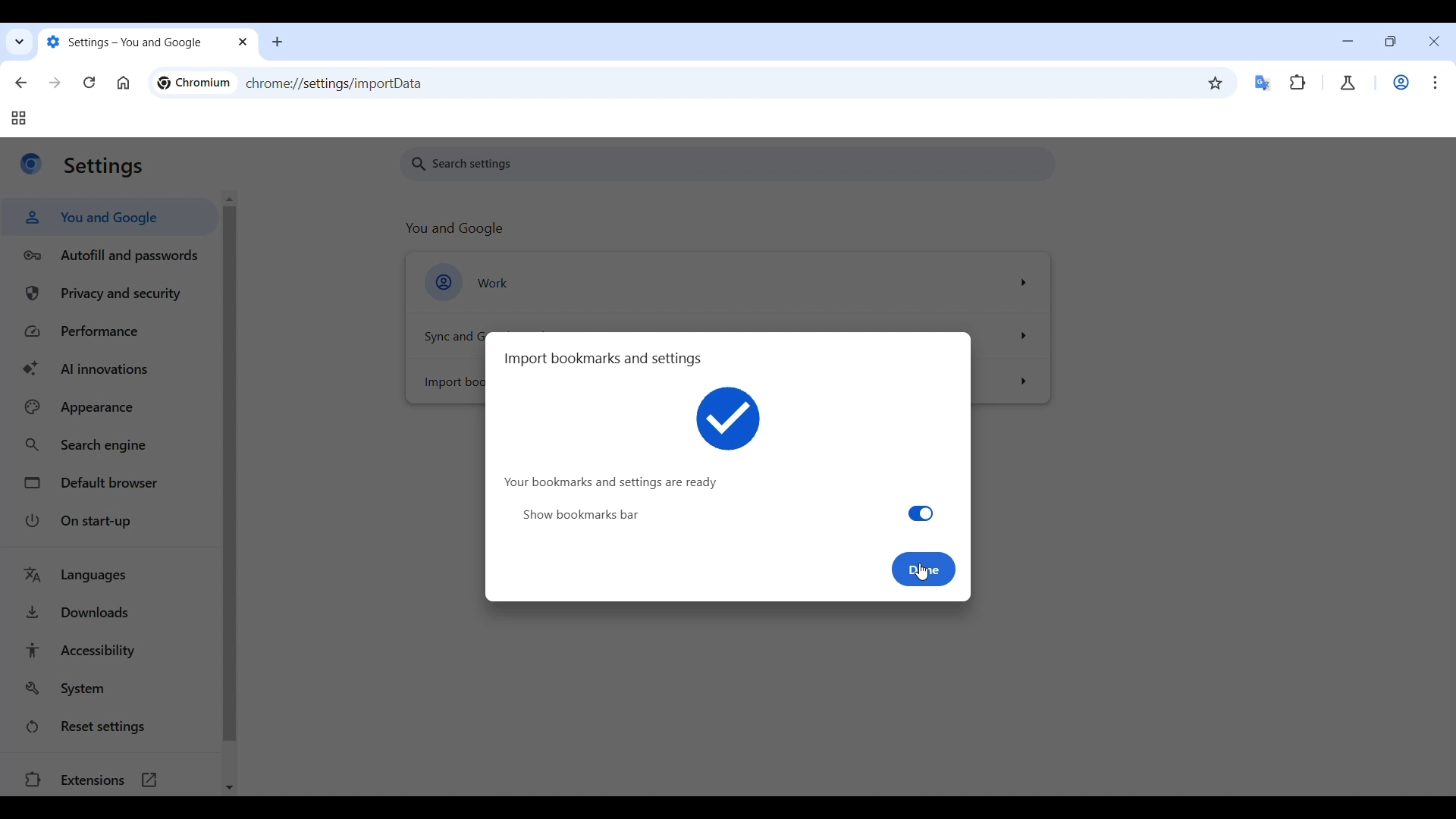 The width and height of the screenshot is (1456, 819). I want to click on Accessibility, so click(111, 651).